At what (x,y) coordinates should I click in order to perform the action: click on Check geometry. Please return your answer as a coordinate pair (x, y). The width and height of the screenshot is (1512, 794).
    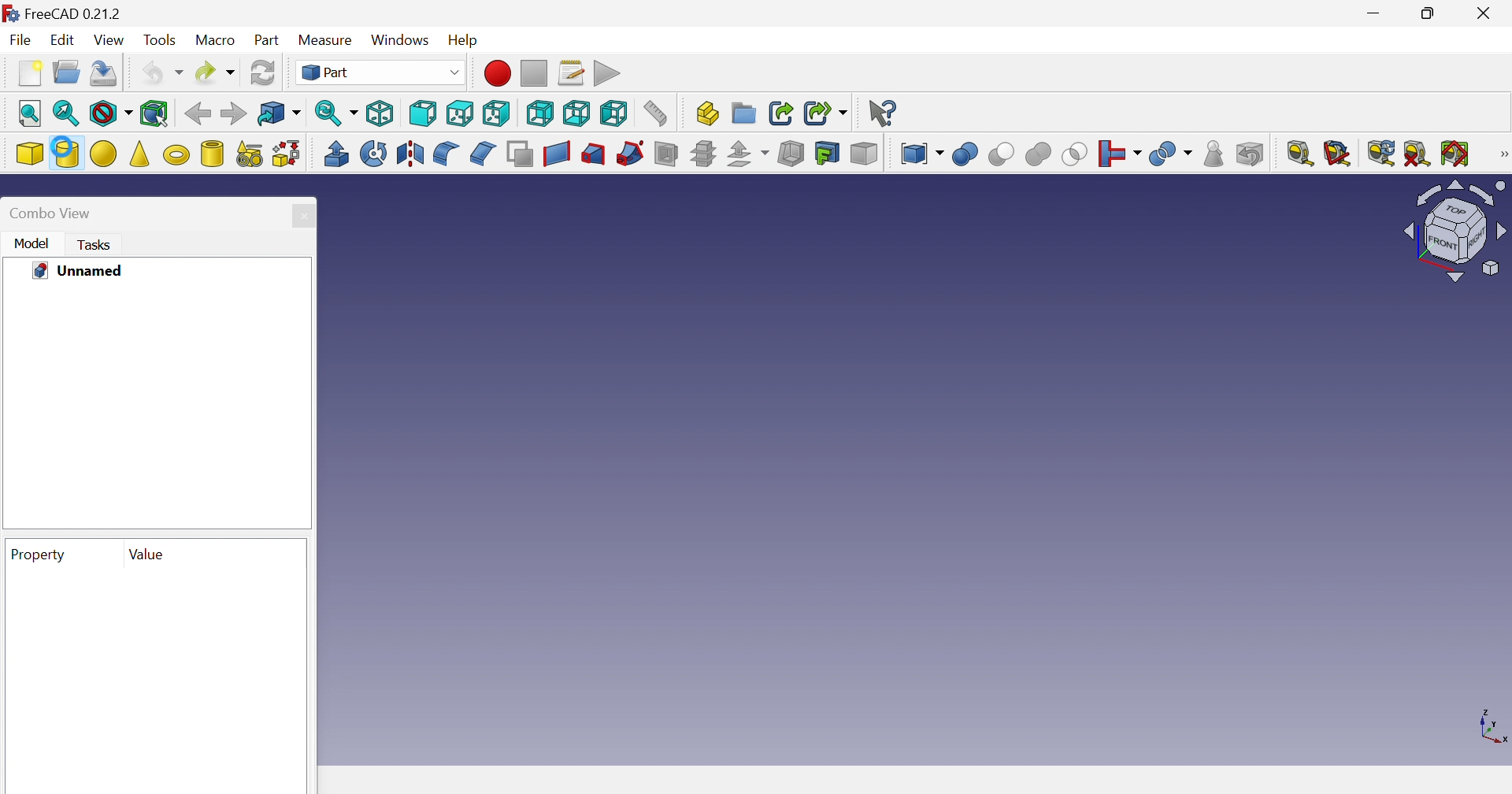
    Looking at the image, I should click on (1211, 154).